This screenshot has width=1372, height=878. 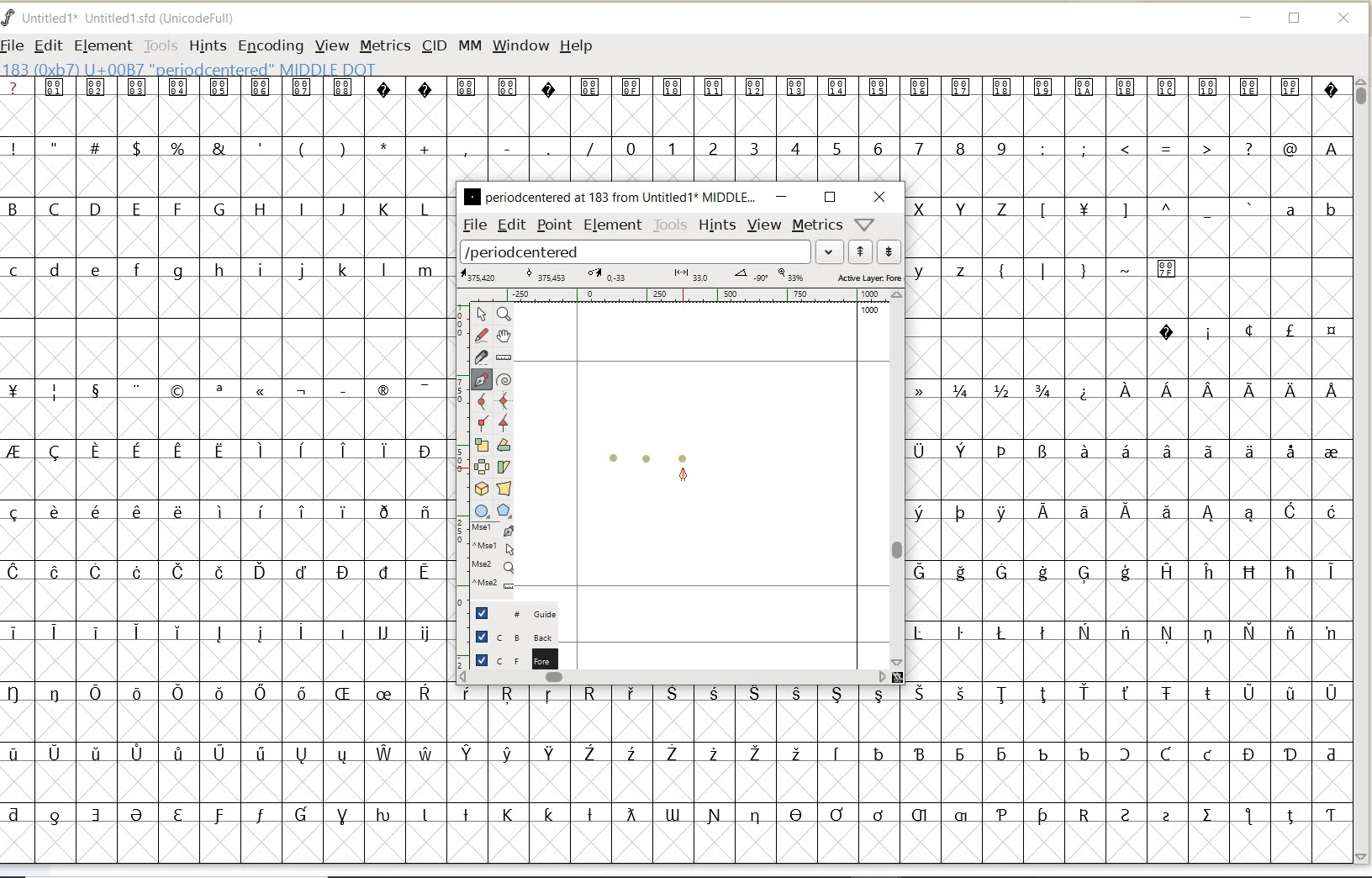 What do you see at coordinates (1247, 20) in the screenshot?
I see `MINIMIZE` at bounding box center [1247, 20].